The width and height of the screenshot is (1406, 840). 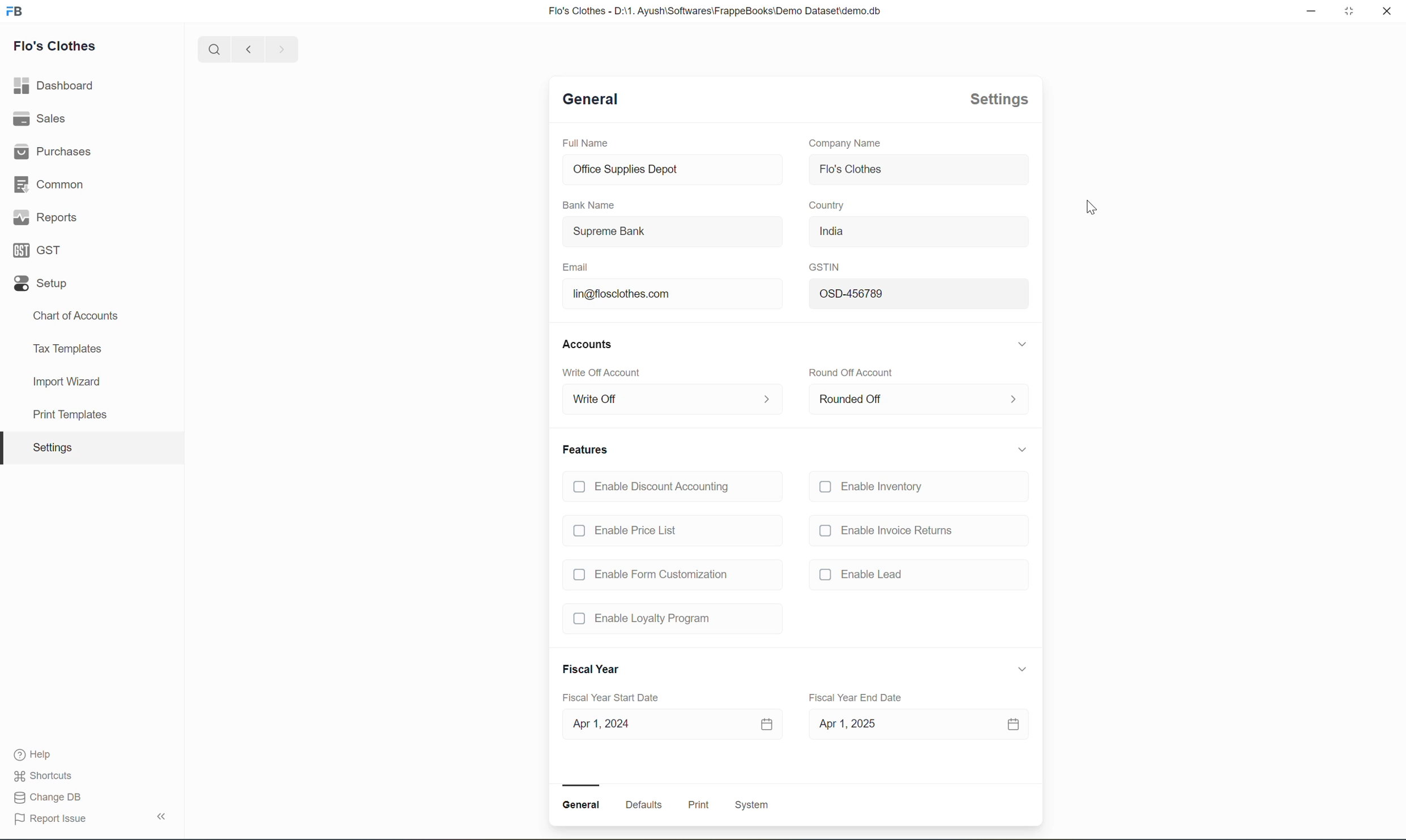 I want to click on Report Issue, so click(x=49, y=818).